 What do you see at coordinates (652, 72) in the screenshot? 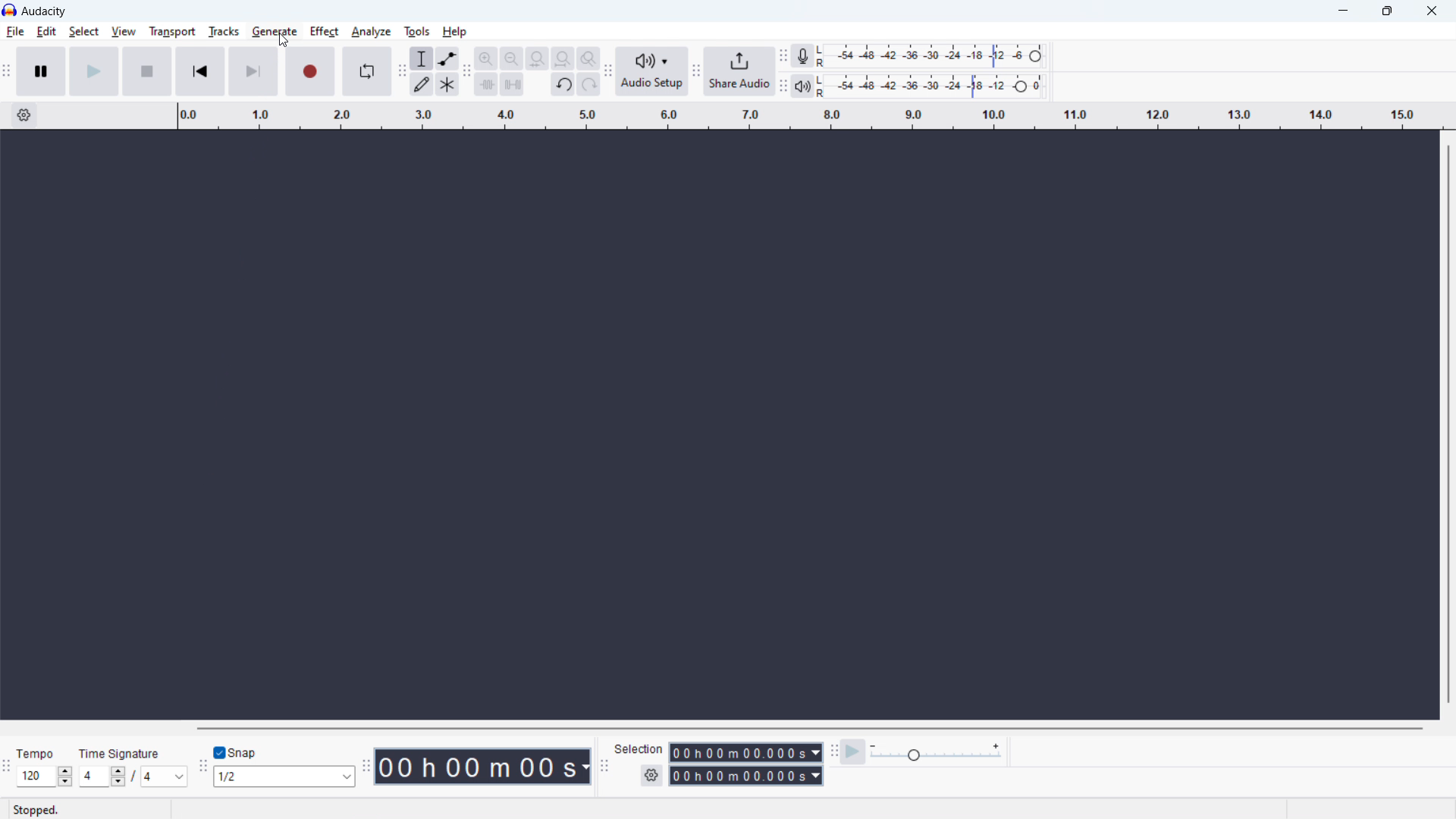
I see `audio setup` at bounding box center [652, 72].